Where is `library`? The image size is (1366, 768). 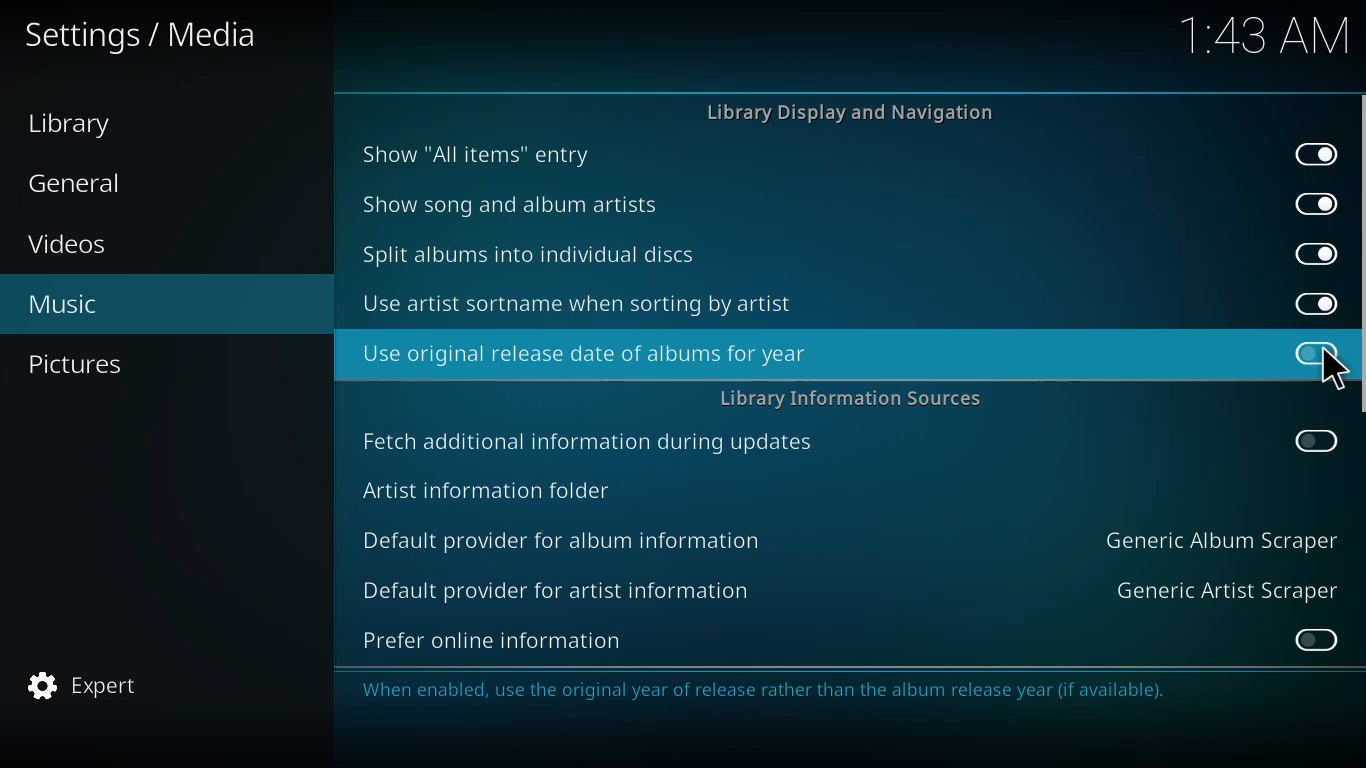 library is located at coordinates (69, 125).